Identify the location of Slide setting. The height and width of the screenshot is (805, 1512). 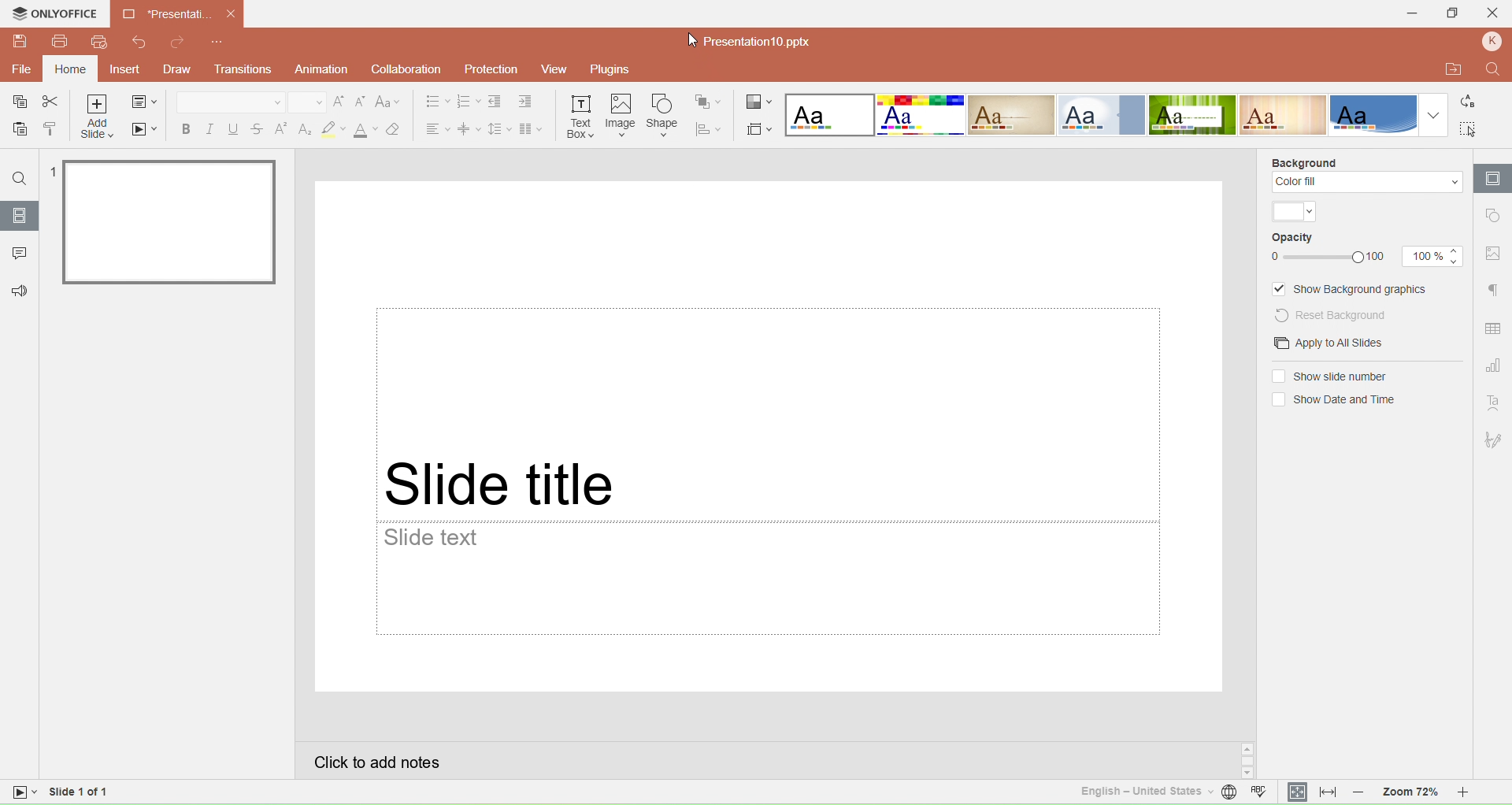
(1492, 178).